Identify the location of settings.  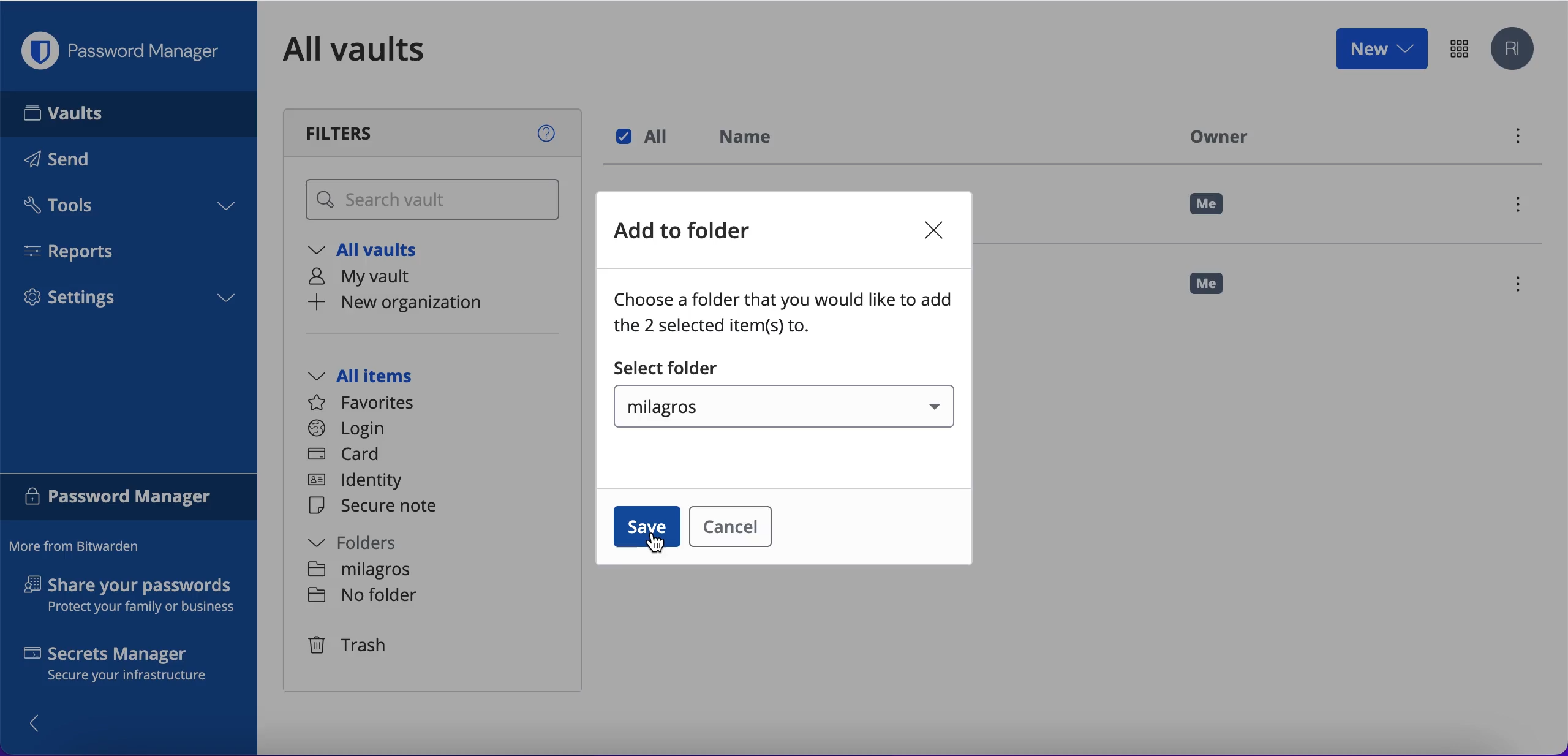
(129, 301).